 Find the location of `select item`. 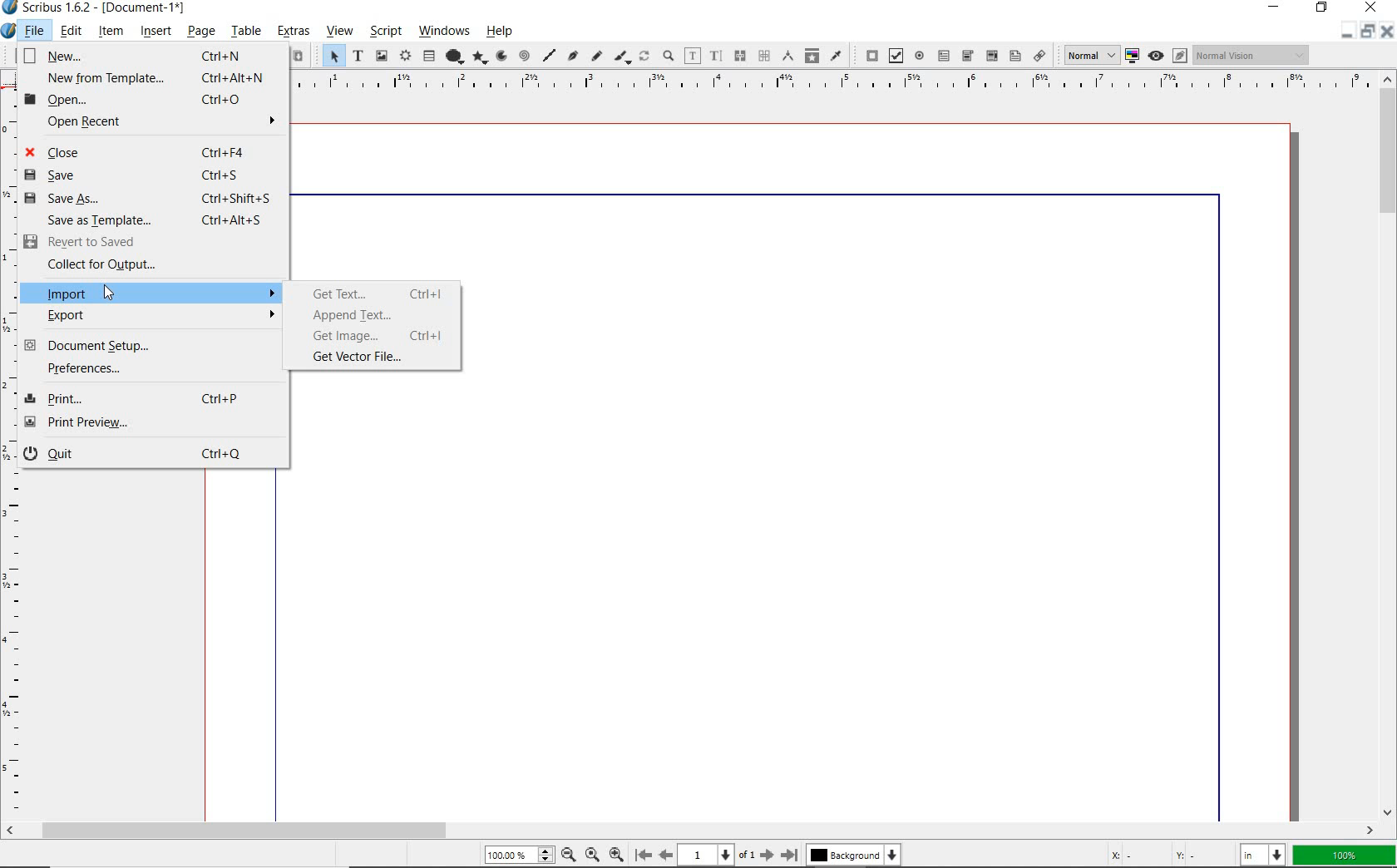

select item is located at coordinates (329, 56).